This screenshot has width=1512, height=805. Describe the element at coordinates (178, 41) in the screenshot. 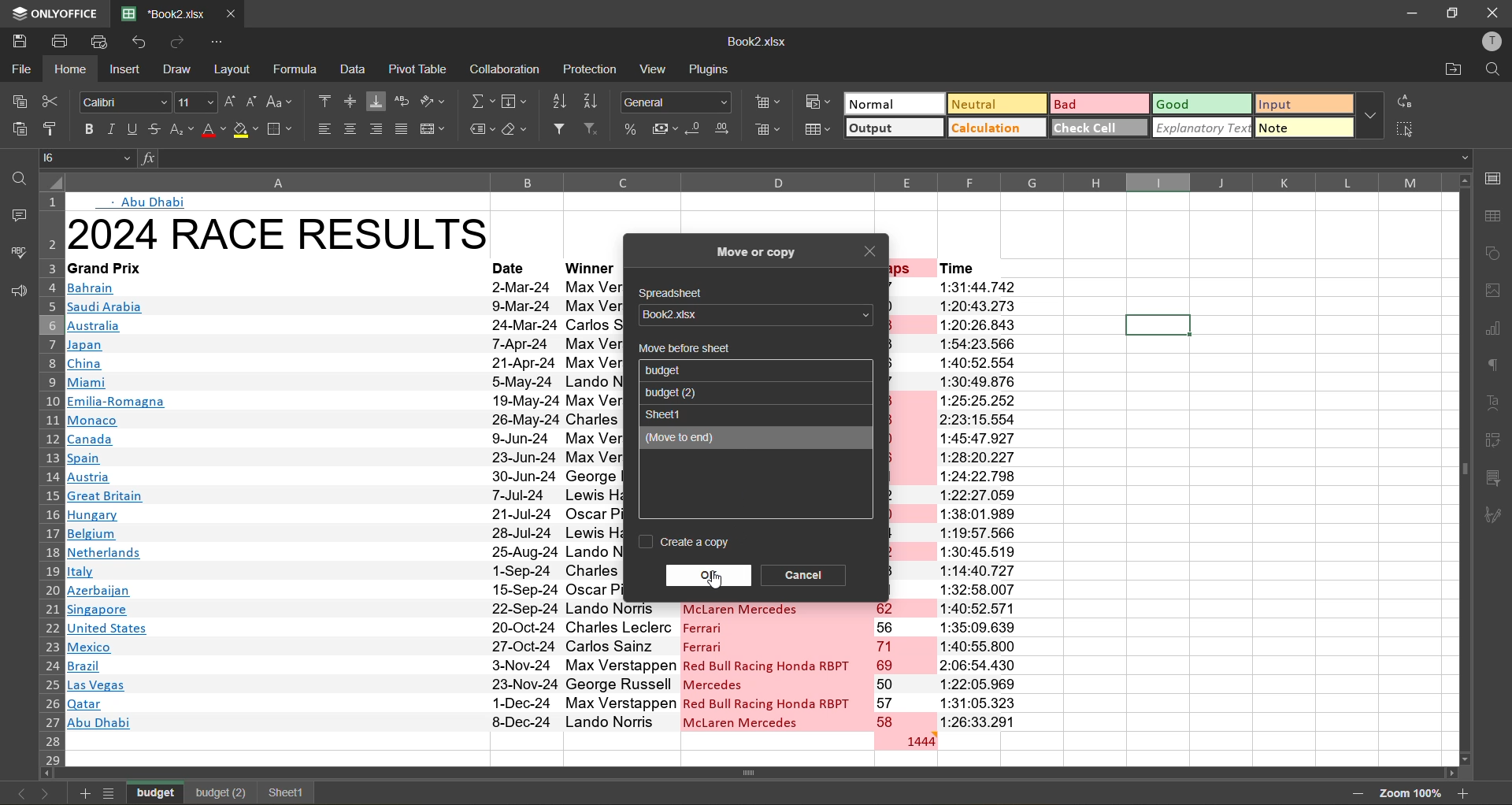

I see `redo` at that location.